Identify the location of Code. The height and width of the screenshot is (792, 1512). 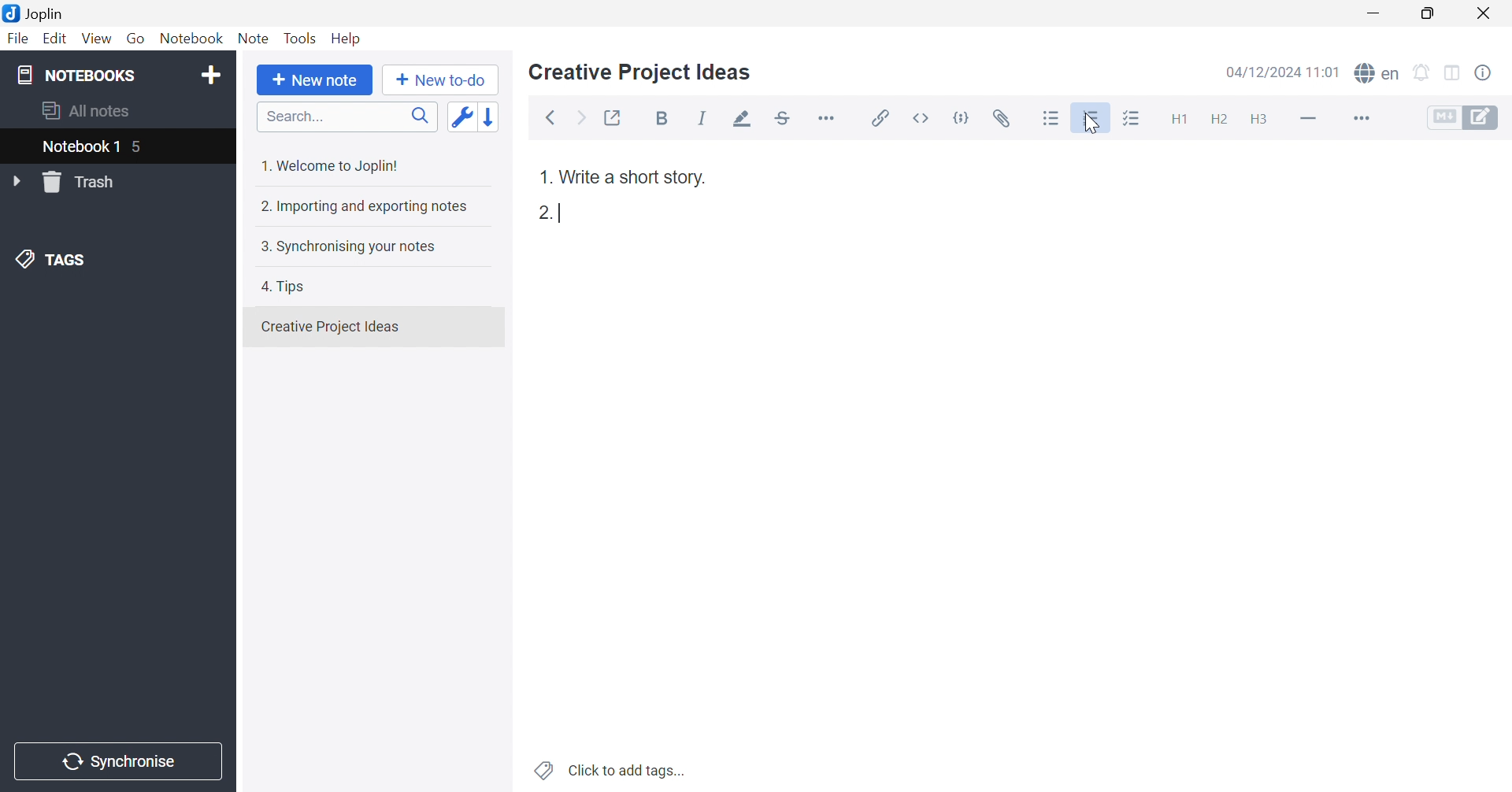
(965, 117).